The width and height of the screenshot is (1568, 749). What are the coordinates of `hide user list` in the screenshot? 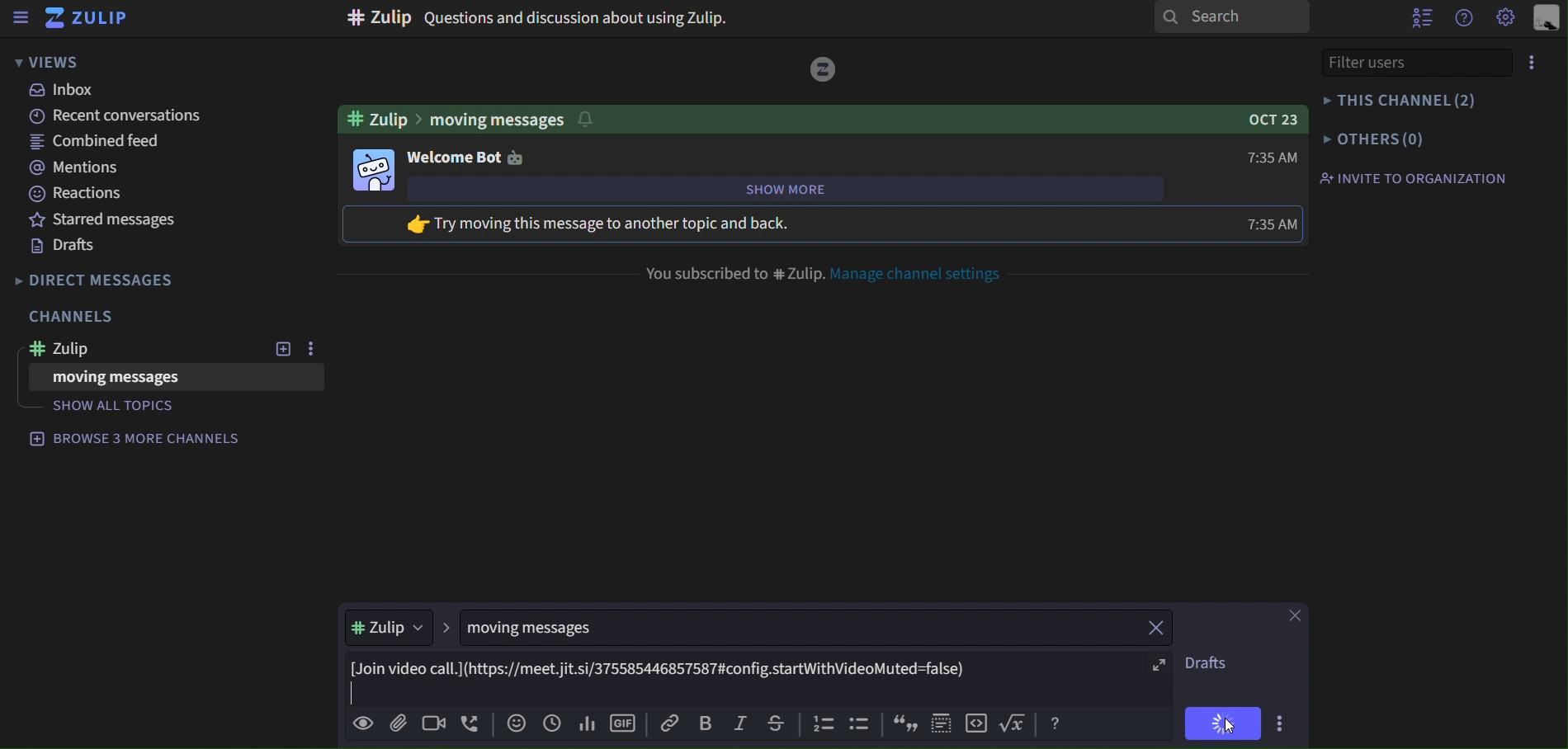 It's located at (1418, 17).